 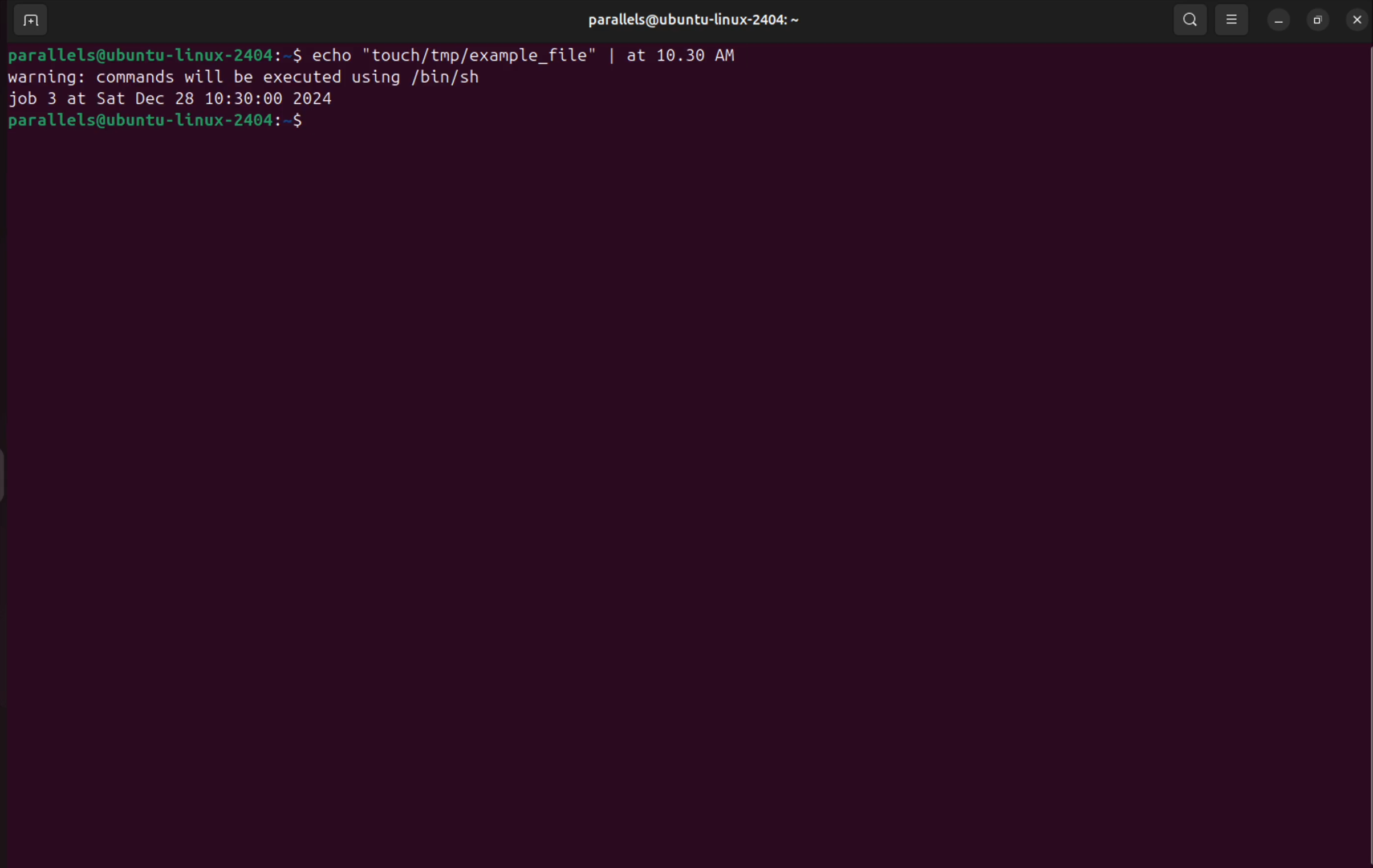 I want to click on minimize, so click(x=1279, y=22).